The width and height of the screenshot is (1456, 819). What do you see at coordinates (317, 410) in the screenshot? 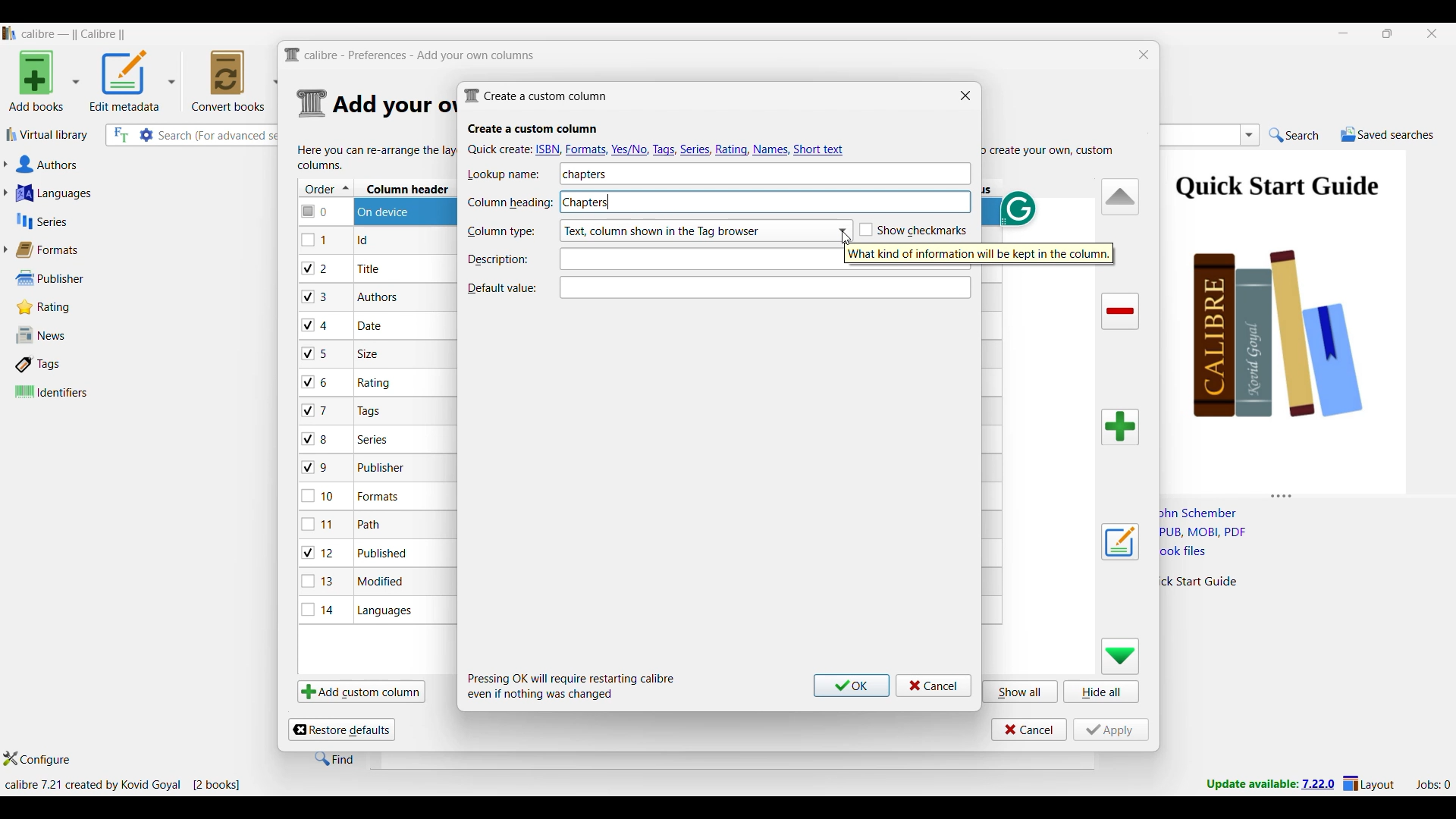
I see `checkbox - 7` at bounding box center [317, 410].